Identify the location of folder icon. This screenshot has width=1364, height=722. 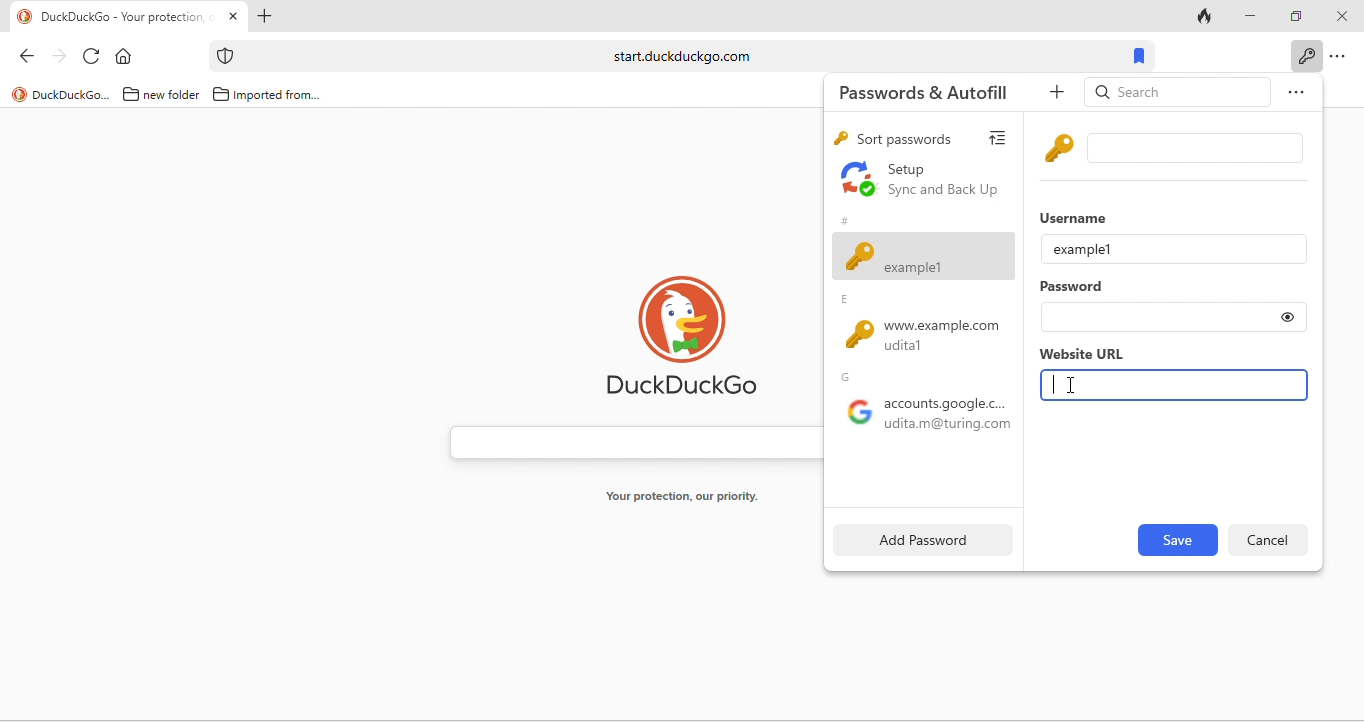
(131, 94).